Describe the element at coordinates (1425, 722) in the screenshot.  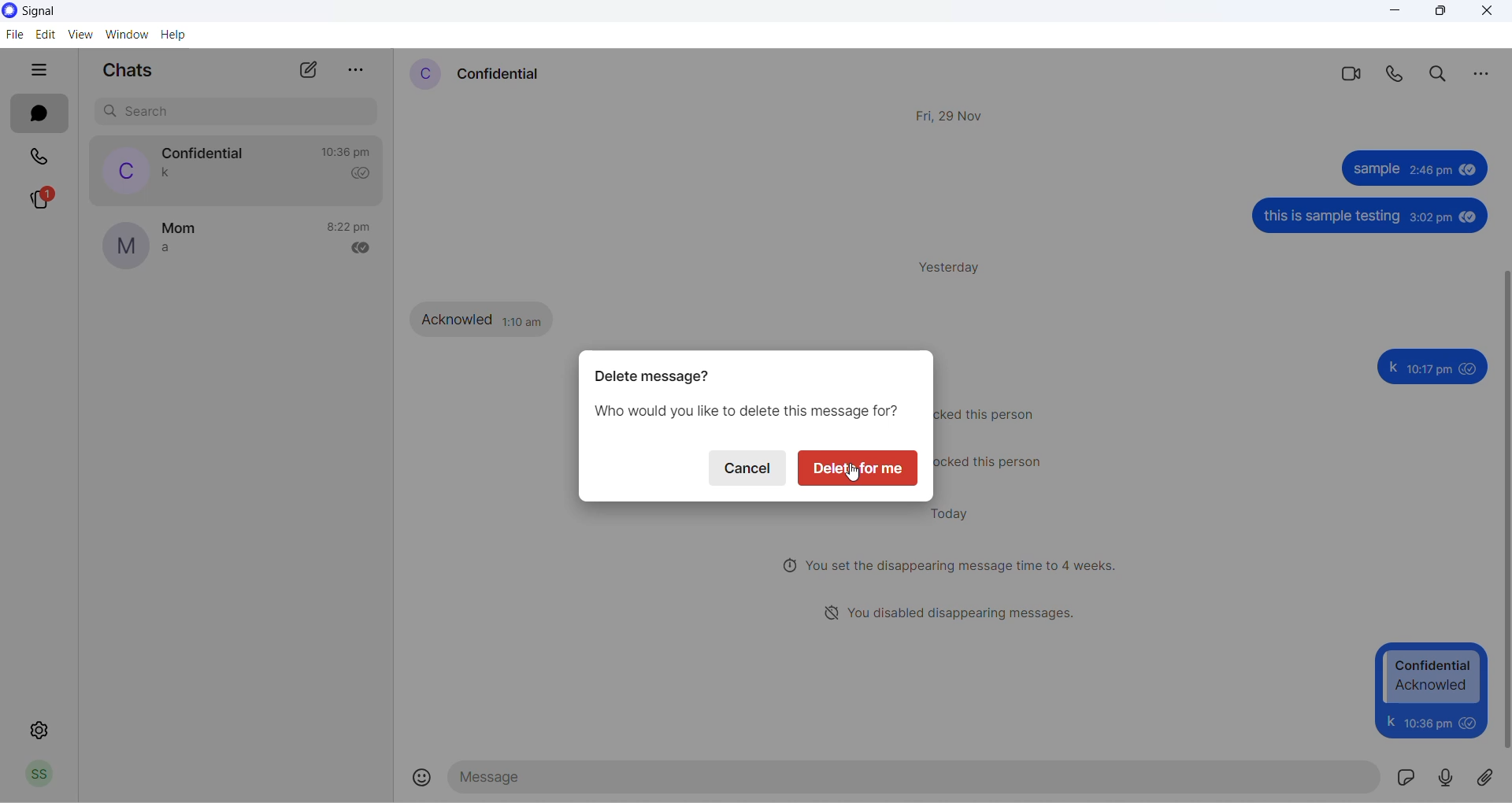
I see `10:36 pm` at that location.